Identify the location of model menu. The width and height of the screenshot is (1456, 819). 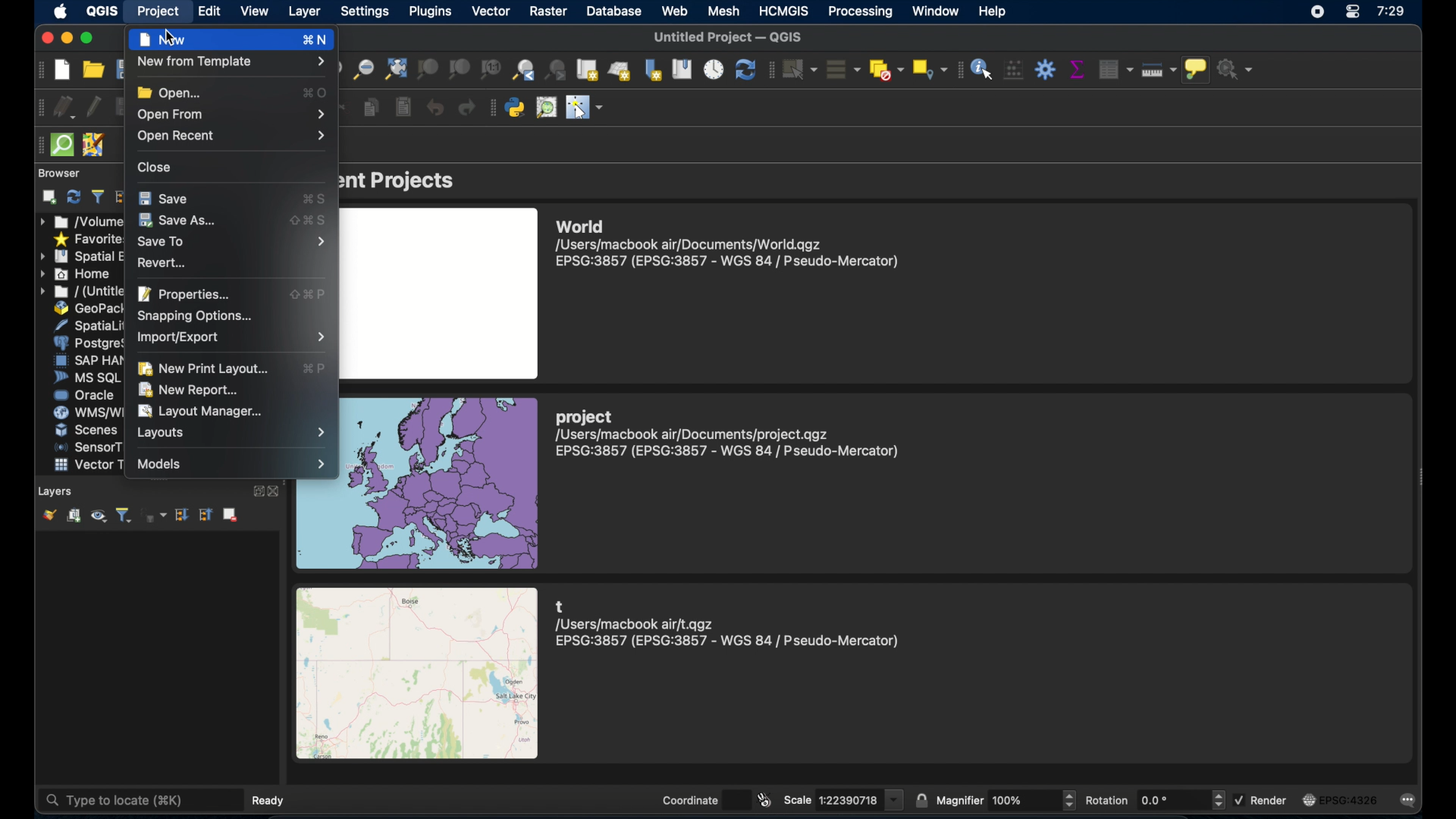
(231, 466).